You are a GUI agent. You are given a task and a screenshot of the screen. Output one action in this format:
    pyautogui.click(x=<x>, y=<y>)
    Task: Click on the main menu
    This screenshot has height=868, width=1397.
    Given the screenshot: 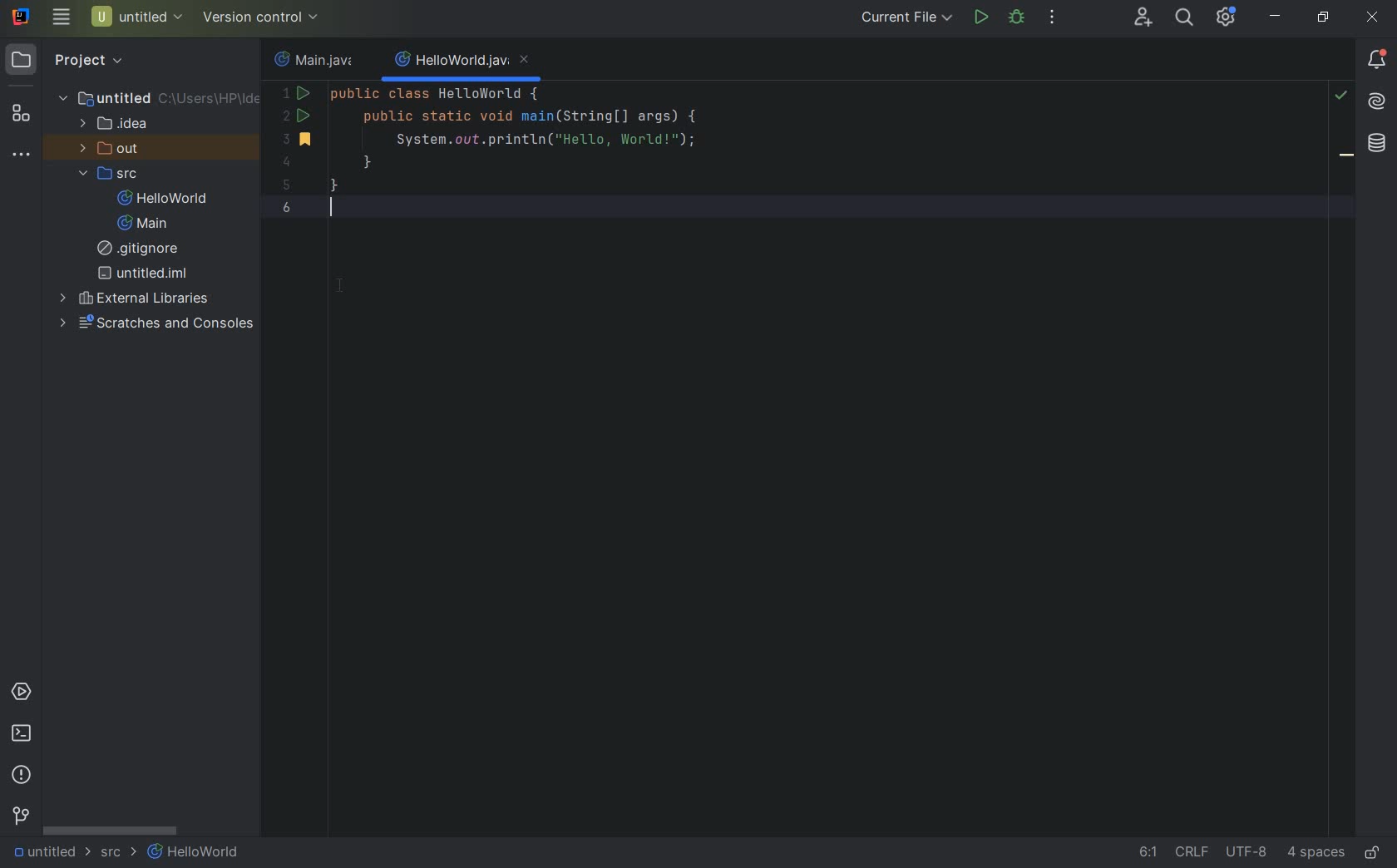 What is the action you would take?
    pyautogui.click(x=60, y=17)
    